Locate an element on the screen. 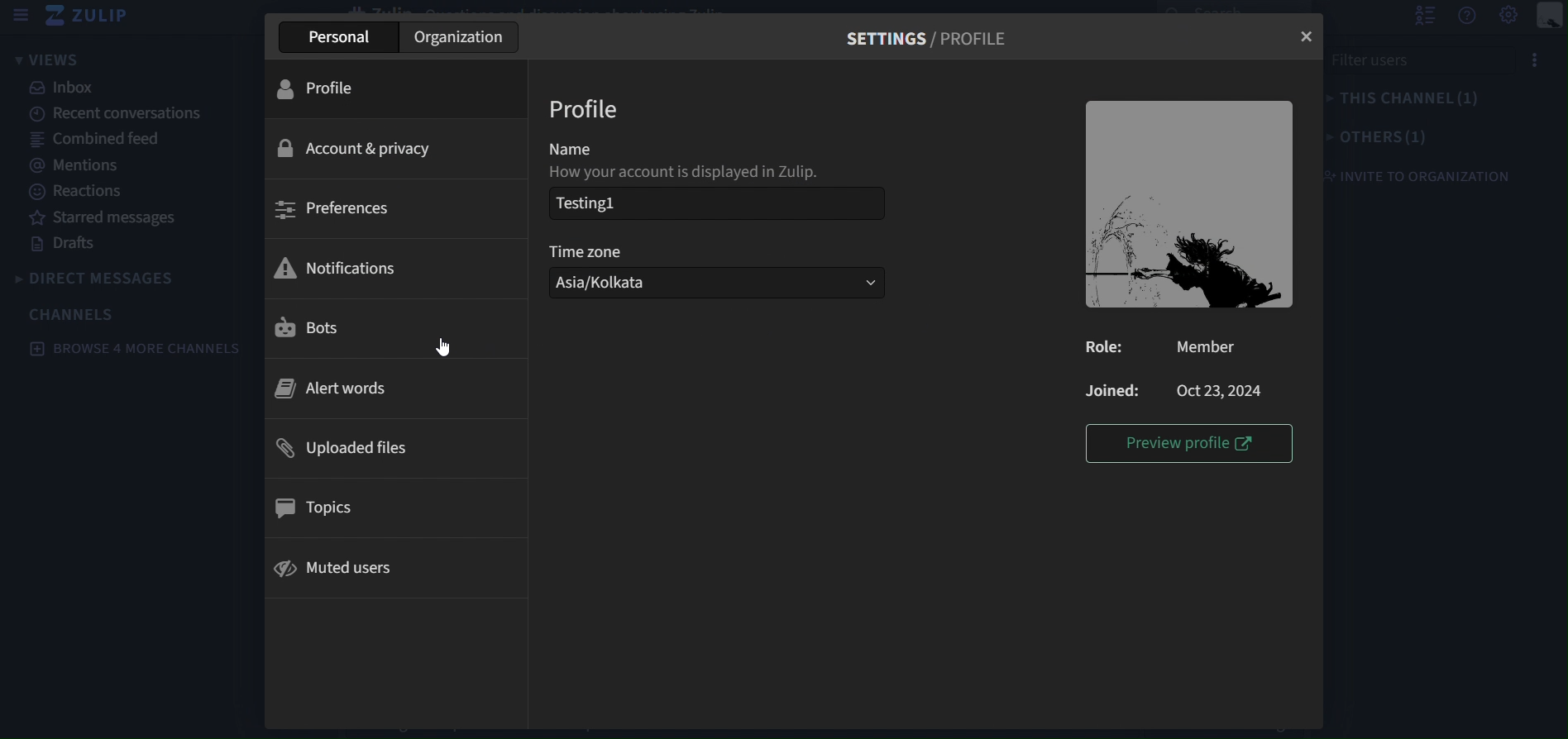  drafts is located at coordinates (122, 245).